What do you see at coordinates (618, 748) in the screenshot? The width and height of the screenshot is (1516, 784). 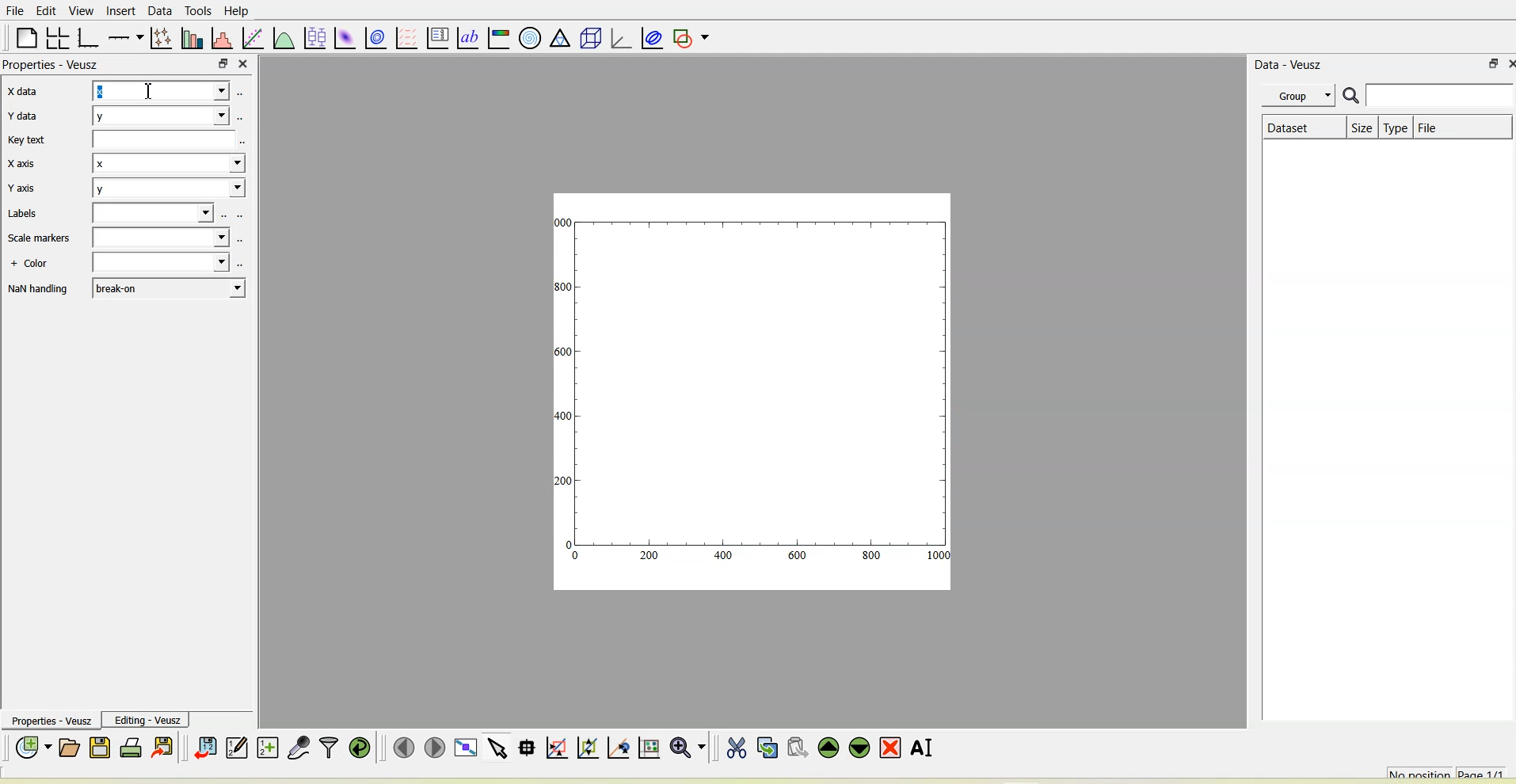 I see `Click to recenter graph axes` at bounding box center [618, 748].